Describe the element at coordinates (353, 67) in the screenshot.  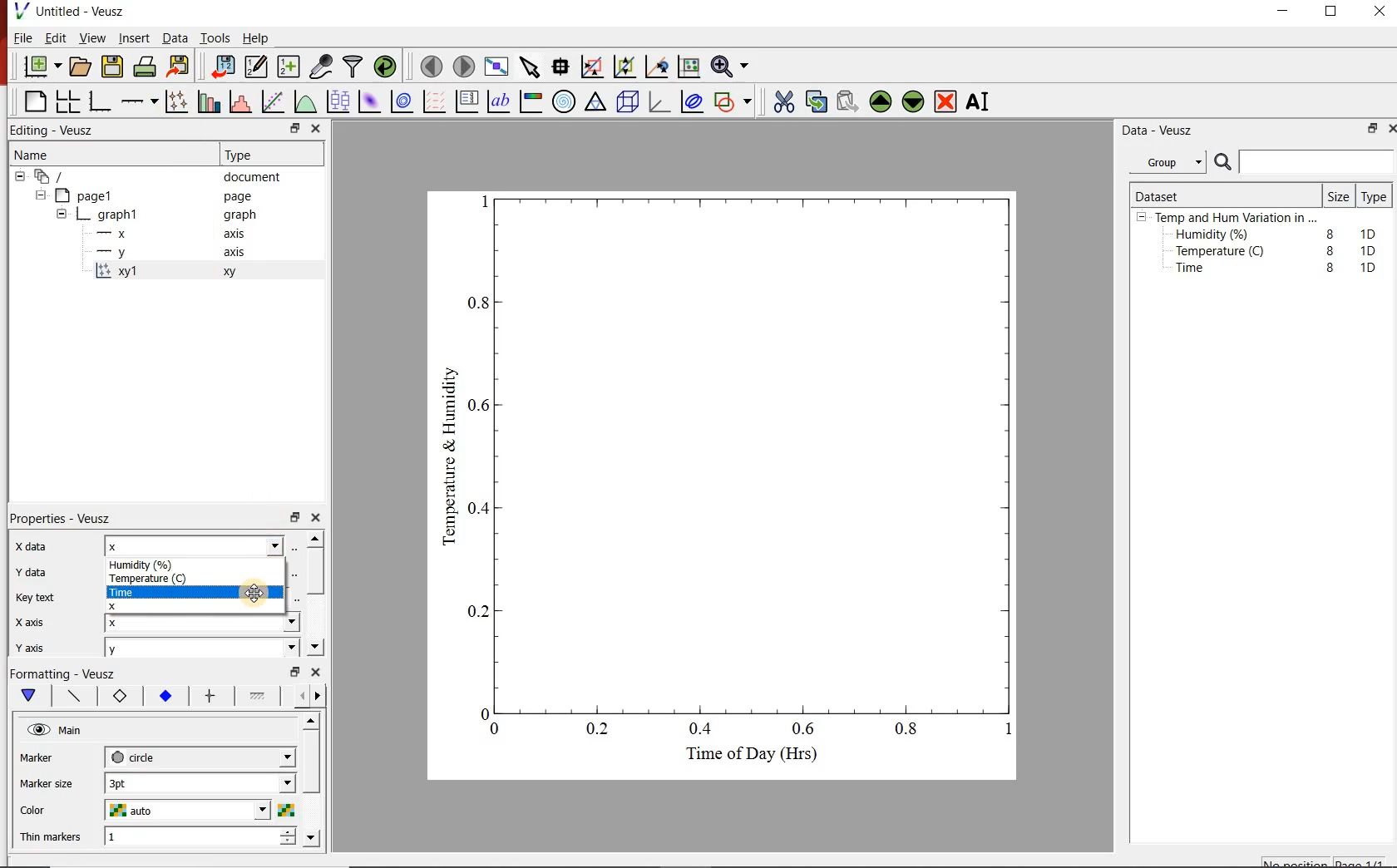
I see `filter data` at that location.